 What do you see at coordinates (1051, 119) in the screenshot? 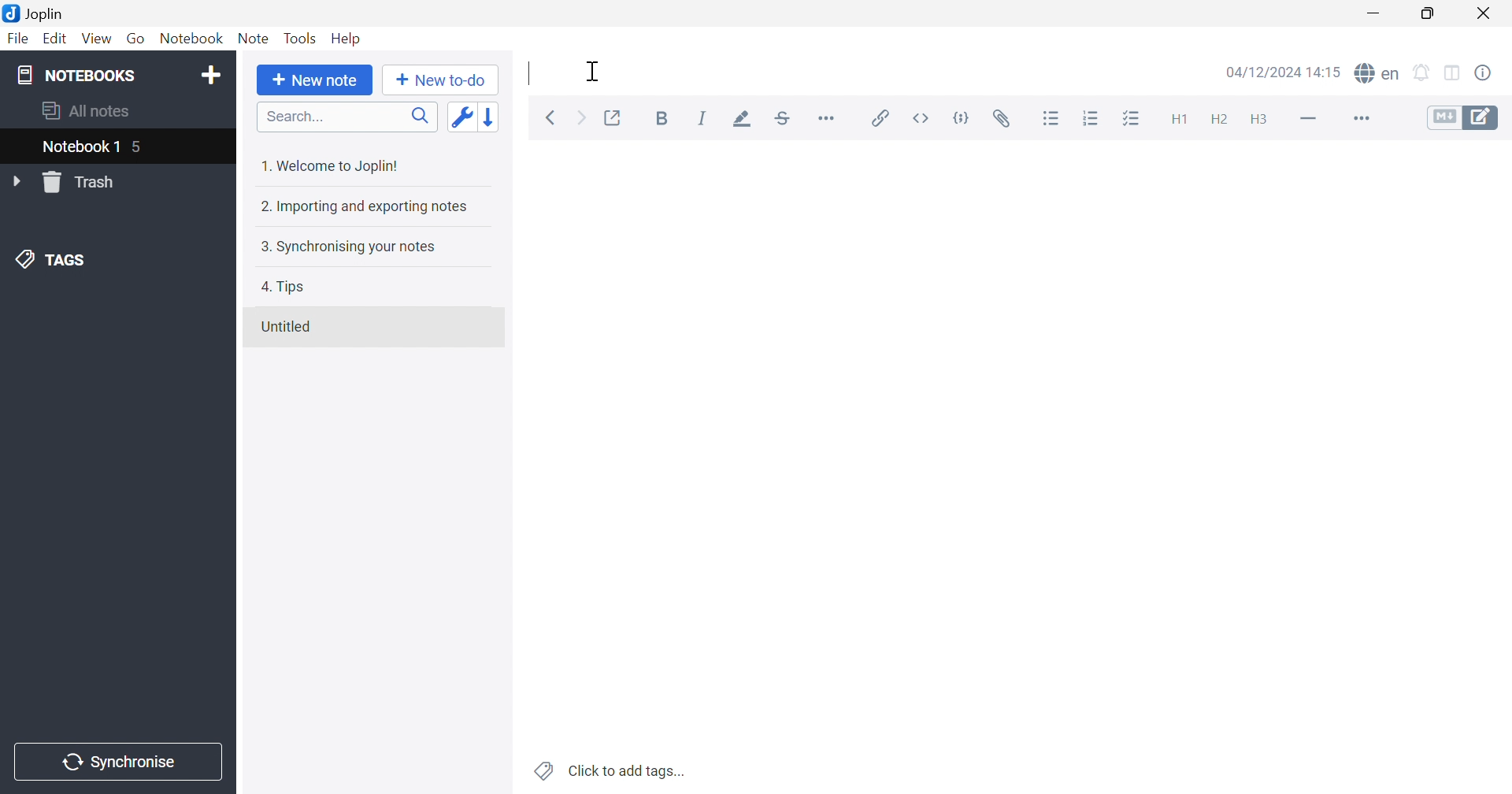
I see `Bullet list` at bounding box center [1051, 119].